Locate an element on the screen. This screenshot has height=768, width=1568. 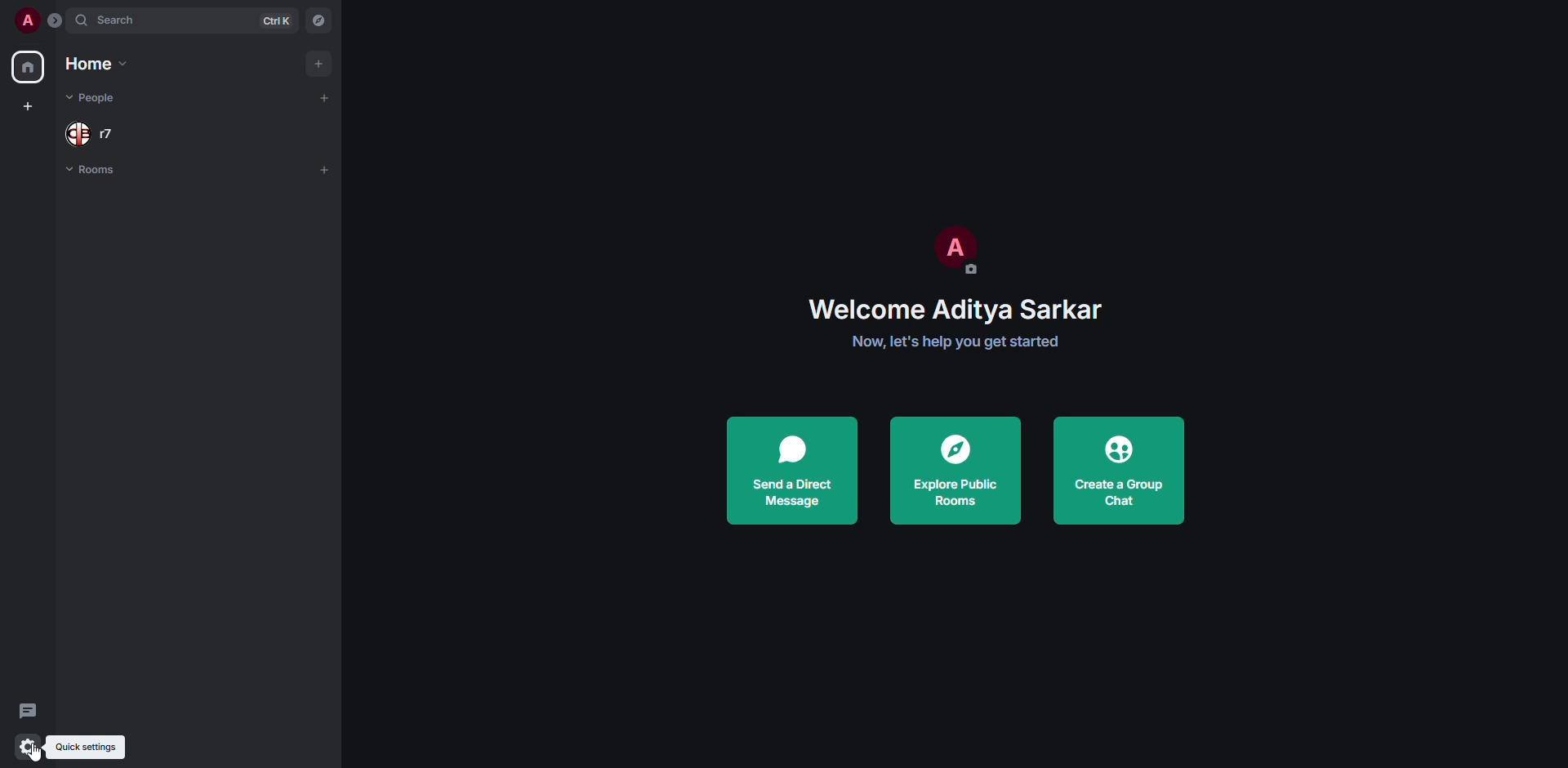
create space is located at coordinates (32, 107).